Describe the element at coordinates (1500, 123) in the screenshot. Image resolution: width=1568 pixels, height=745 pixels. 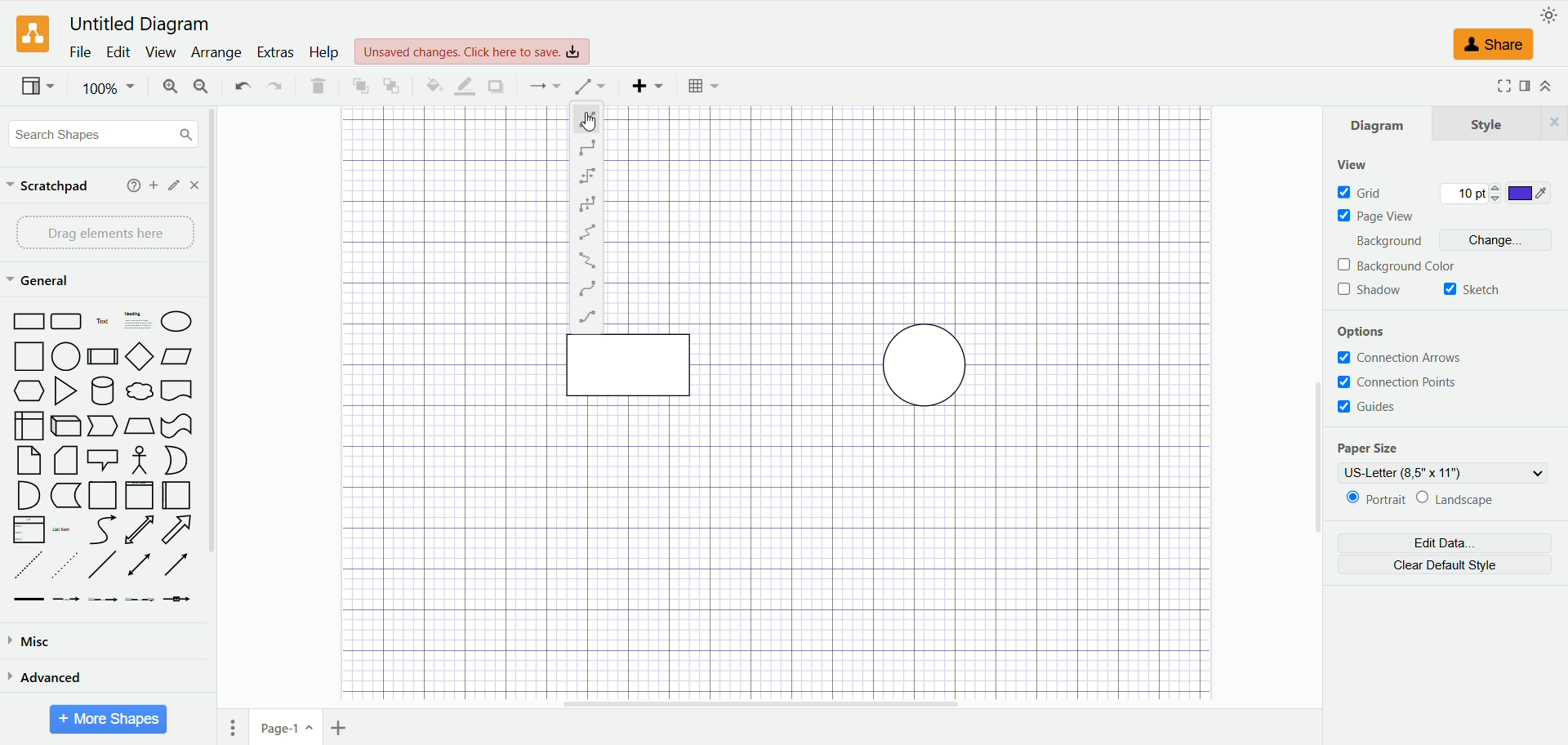
I see `style` at that location.